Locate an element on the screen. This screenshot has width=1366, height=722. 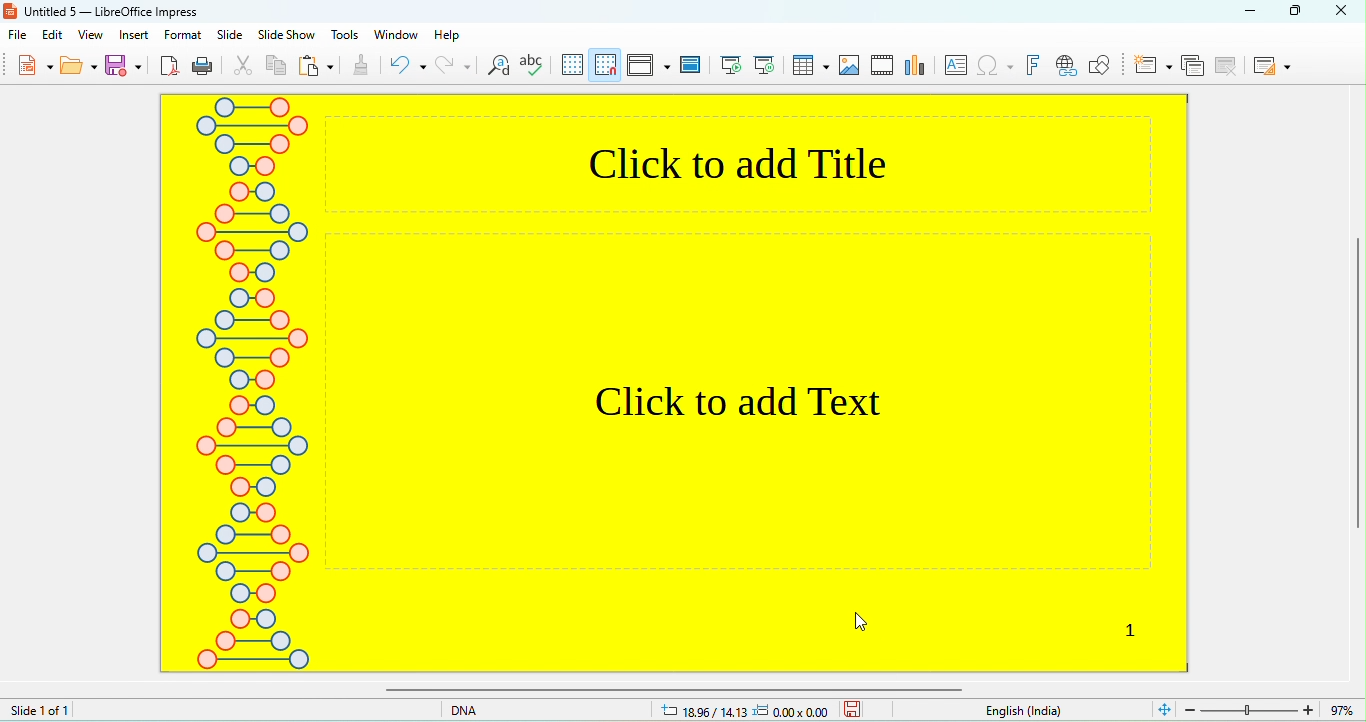
duplicate slide is located at coordinates (1192, 65).